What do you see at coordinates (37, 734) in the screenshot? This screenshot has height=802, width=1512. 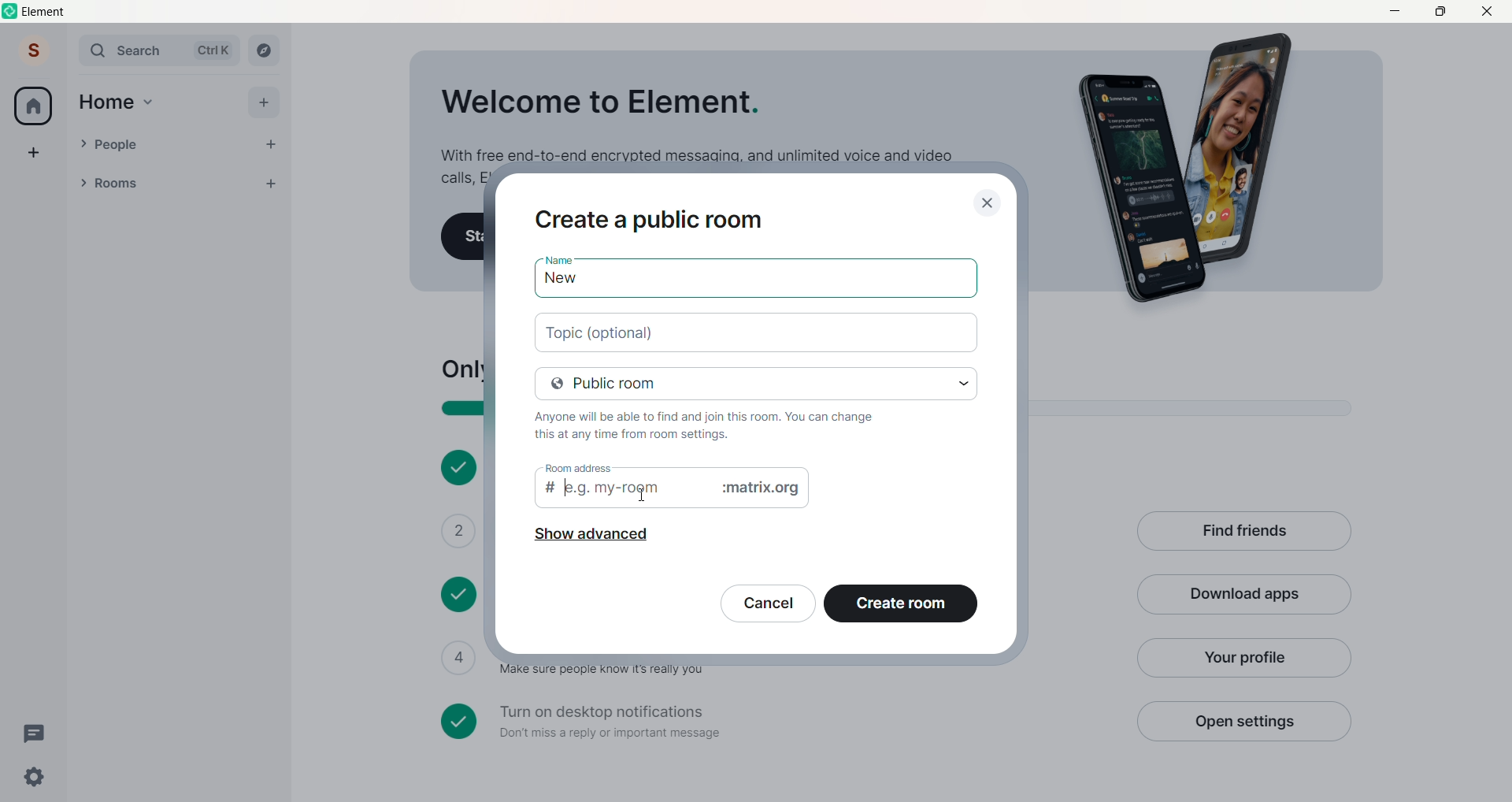 I see `Threads` at bounding box center [37, 734].